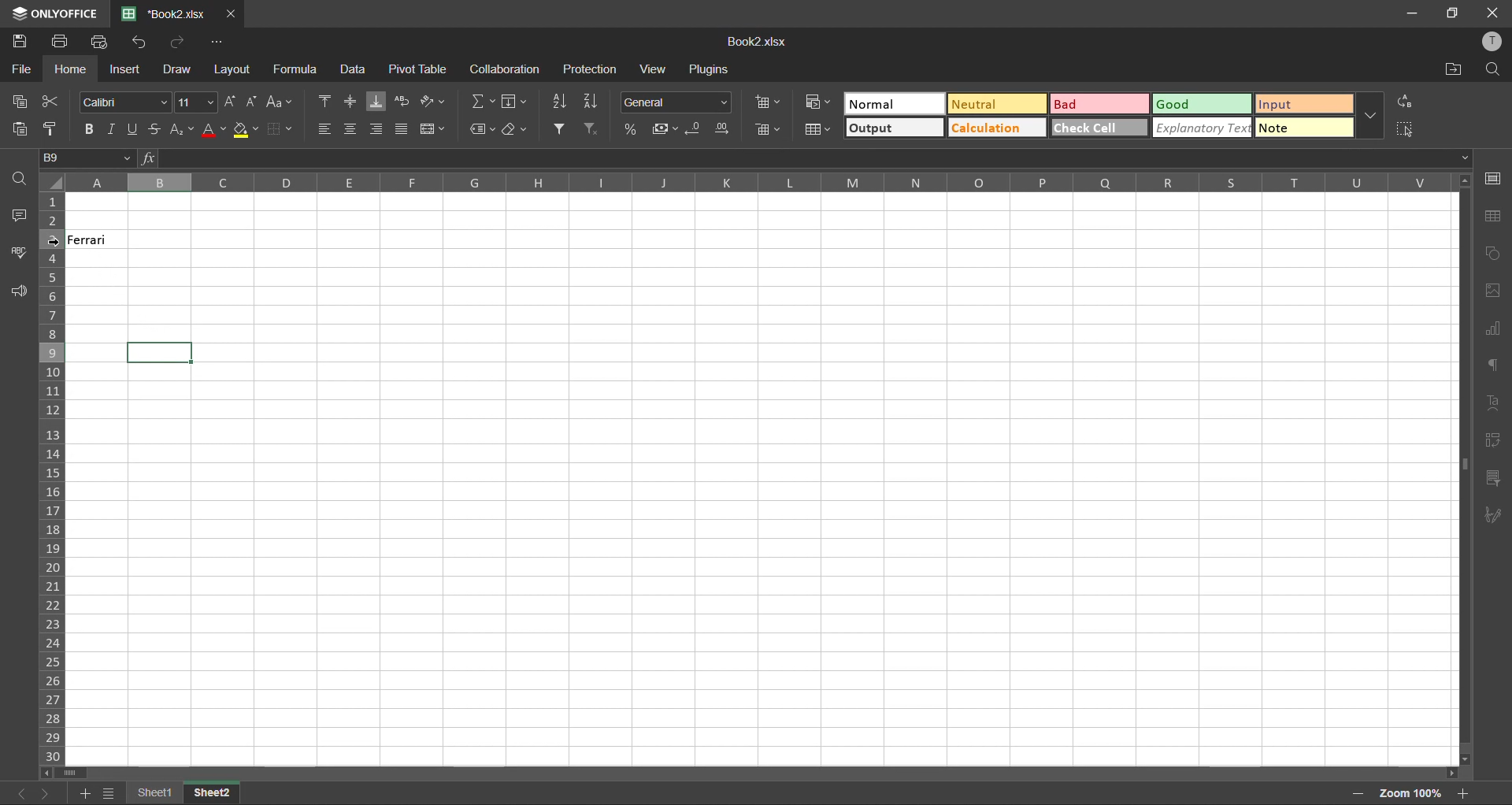 The width and height of the screenshot is (1512, 805). Describe the element at coordinates (1410, 793) in the screenshot. I see `zoom 100%` at that location.